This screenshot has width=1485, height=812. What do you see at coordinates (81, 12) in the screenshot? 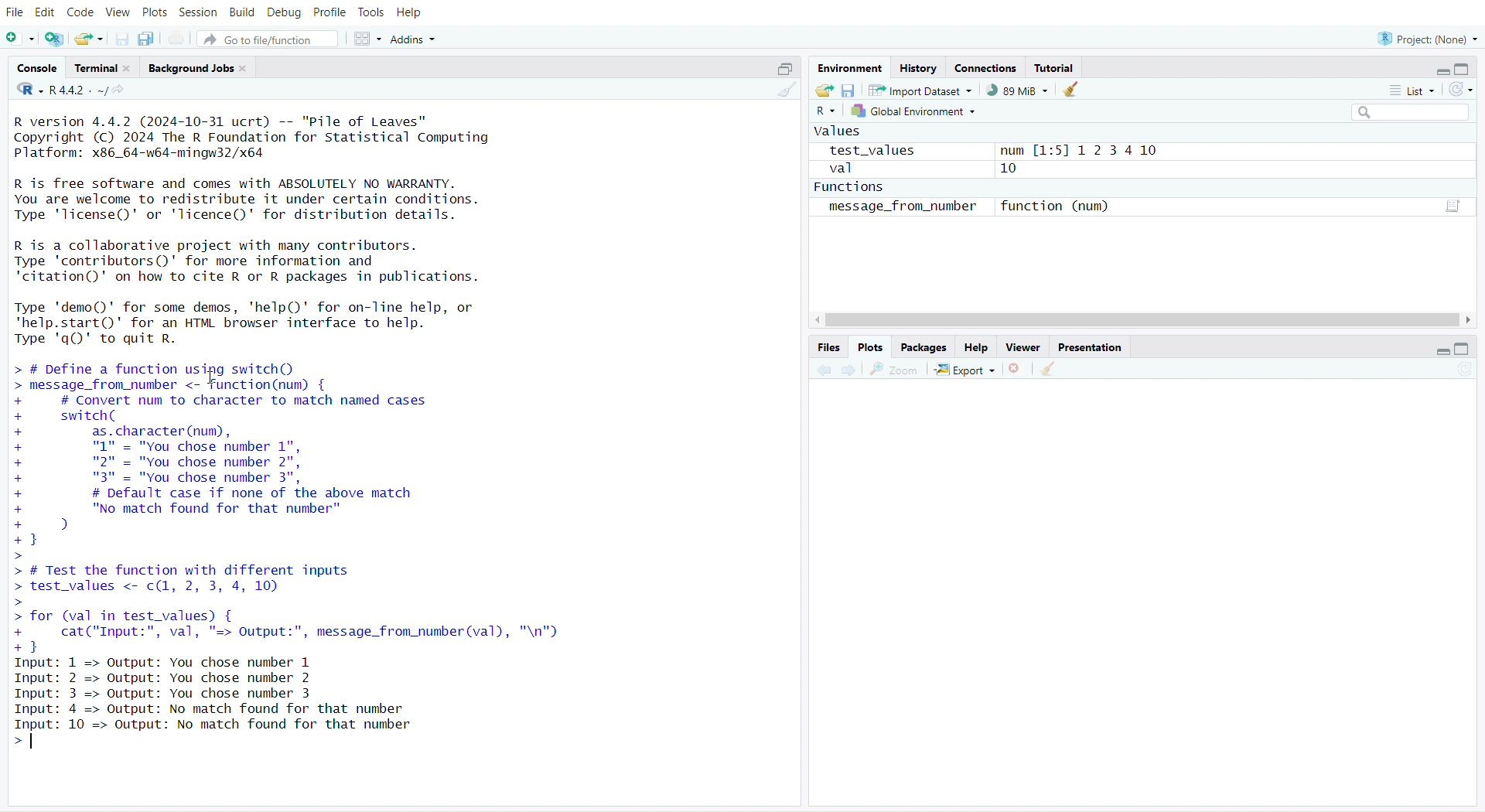
I see `Code` at bounding box center [81, 12].